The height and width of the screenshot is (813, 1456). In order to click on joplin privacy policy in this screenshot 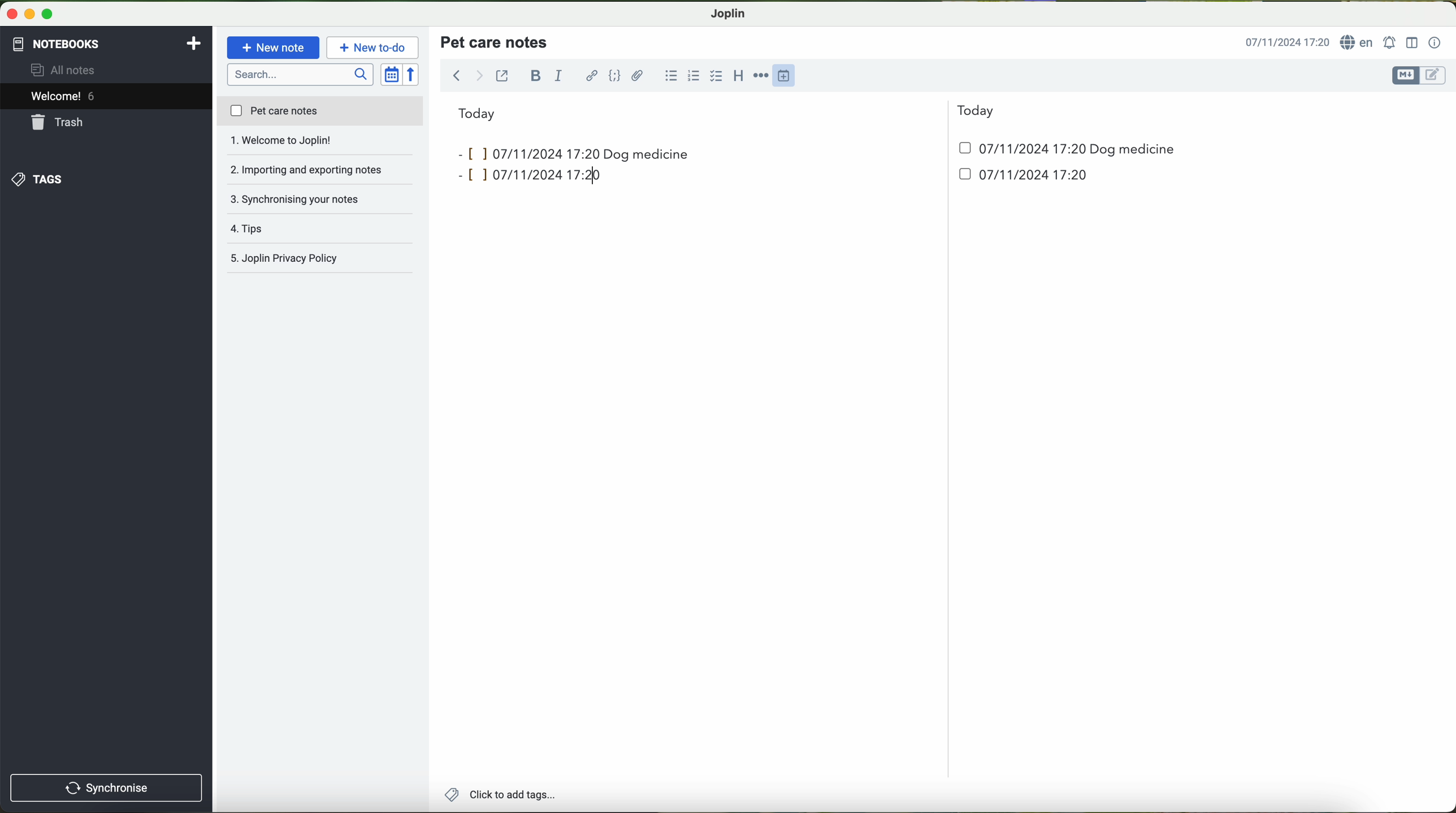, I will do `click(314, 260)`.